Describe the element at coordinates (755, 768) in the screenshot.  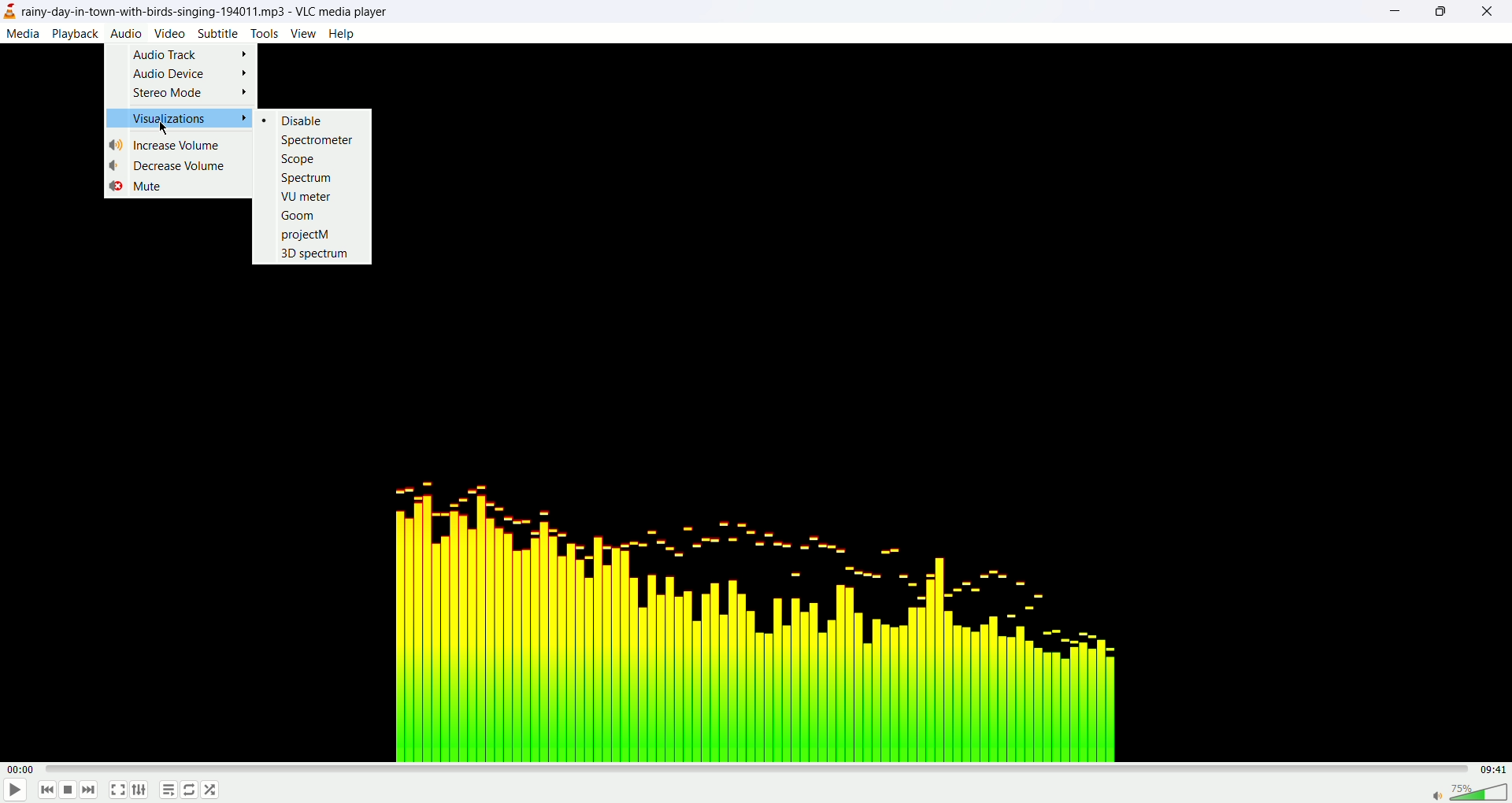
I see `progress bar` at that location.